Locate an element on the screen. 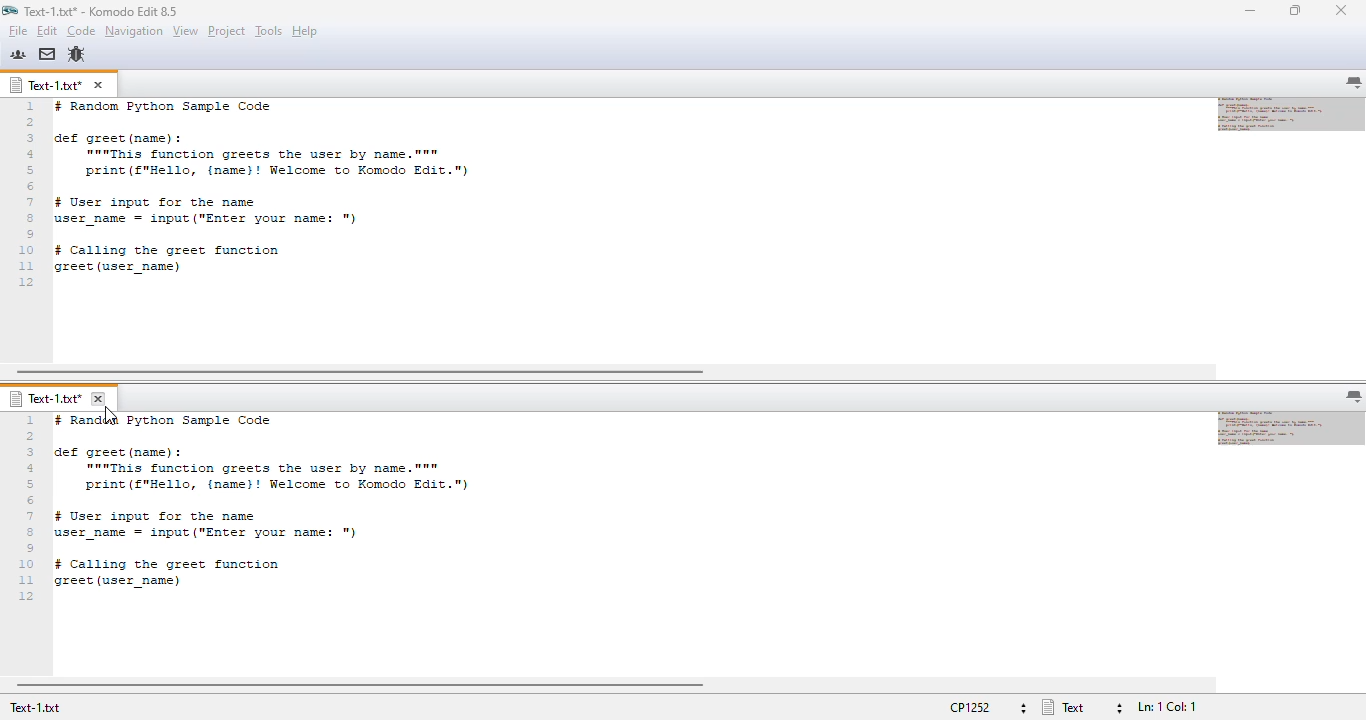 The height and width of the screenshot is (720, 1366). file type is located at coordinates (1082, 707).